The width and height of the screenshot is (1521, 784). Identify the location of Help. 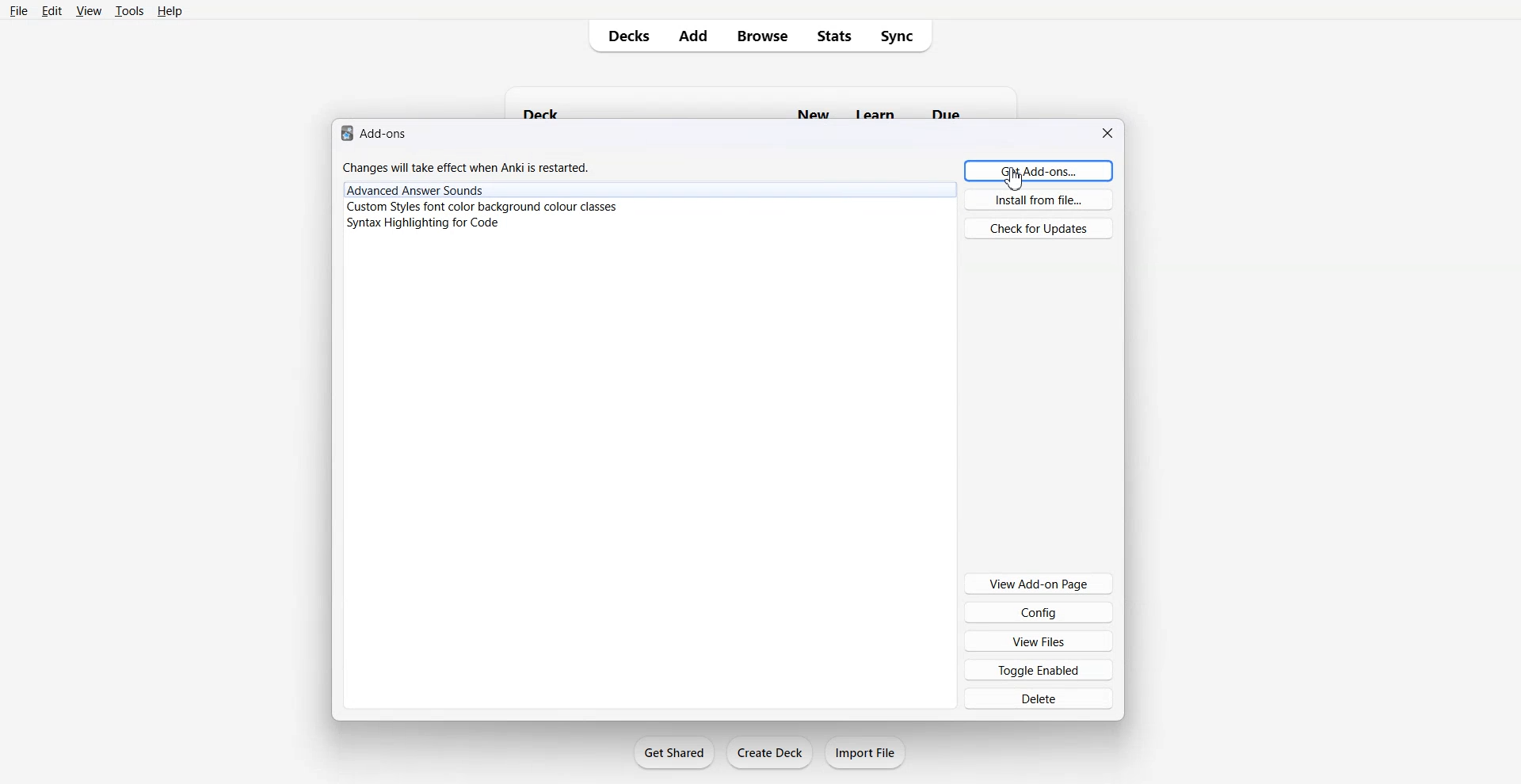
(170, 10).